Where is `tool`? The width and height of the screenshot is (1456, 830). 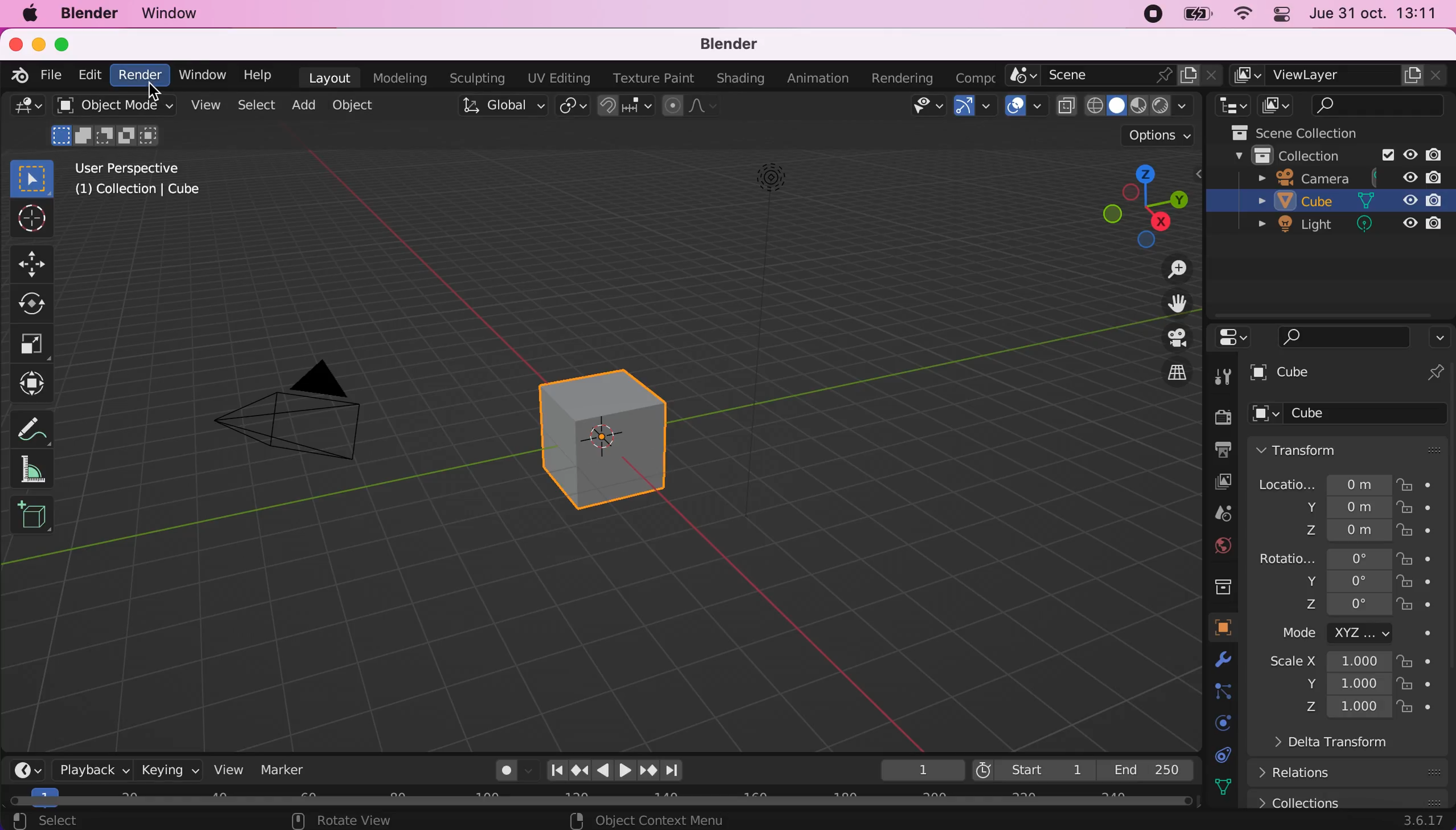
tool is located at coordinates (1223, 377).